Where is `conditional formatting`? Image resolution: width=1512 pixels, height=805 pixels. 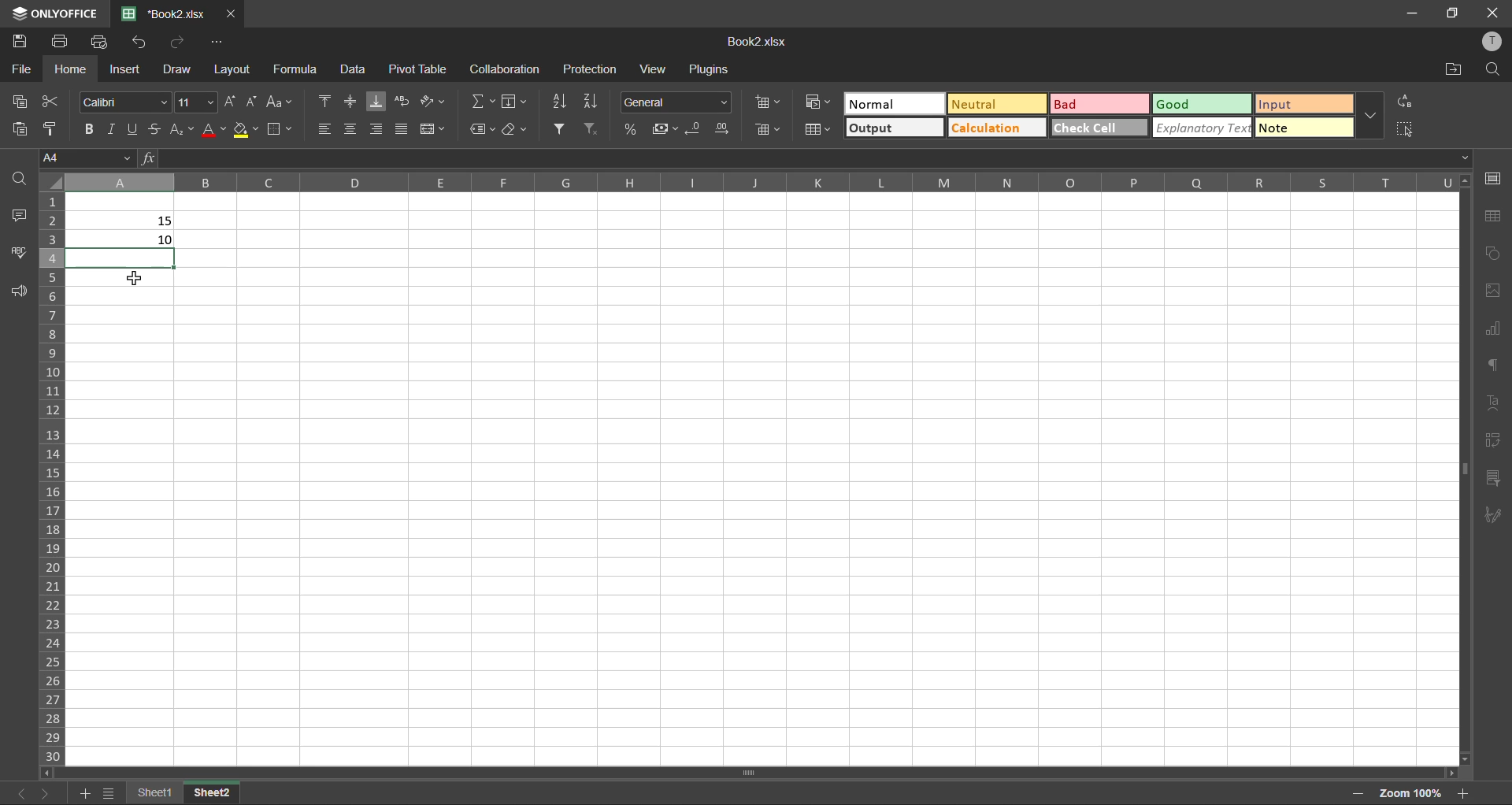 conditional formatting is located at coordinates (818, 102).